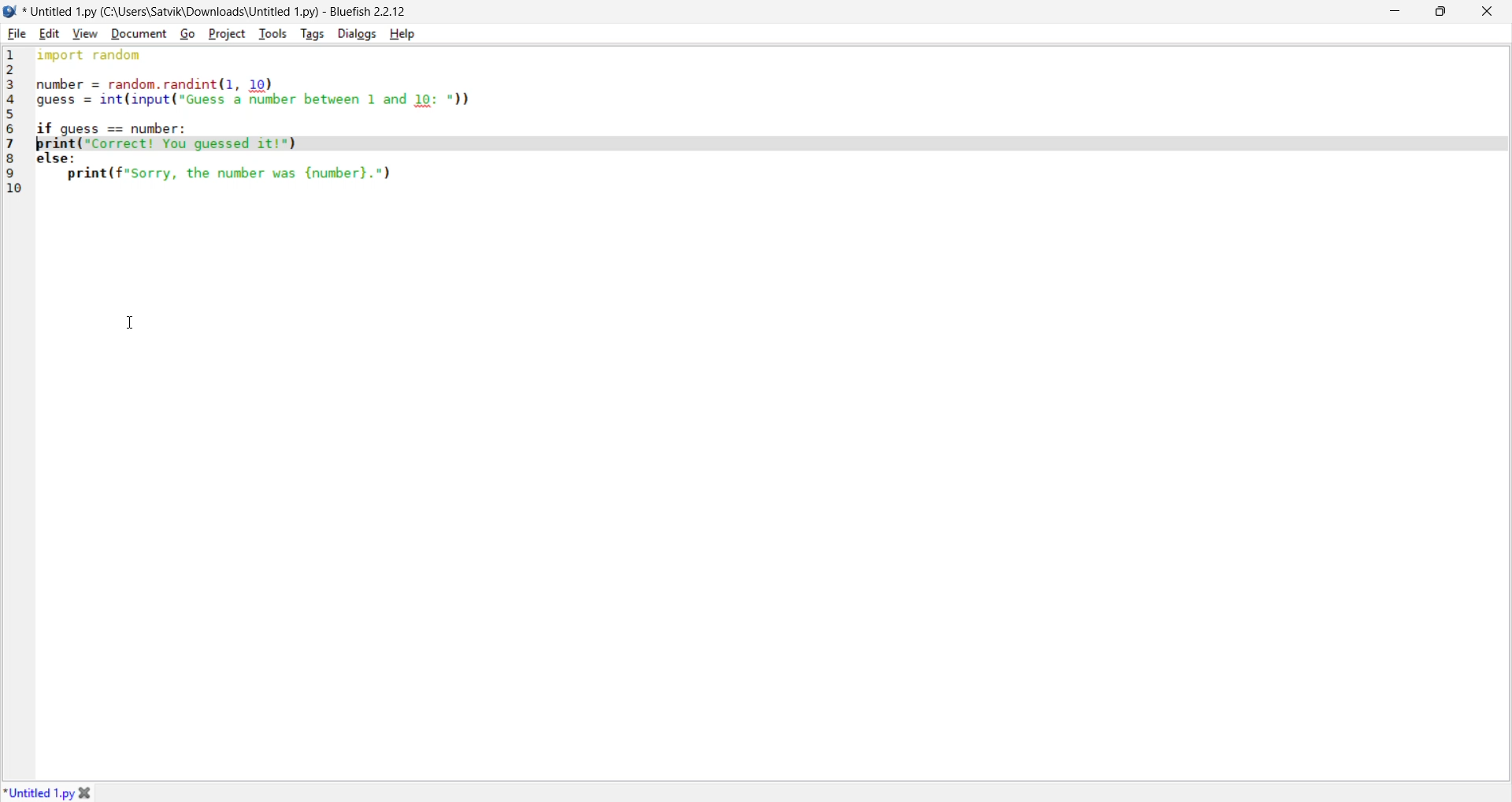 The height and width of the screenshot is (802, 1512). I want to click on cursor, so click(132, 317).